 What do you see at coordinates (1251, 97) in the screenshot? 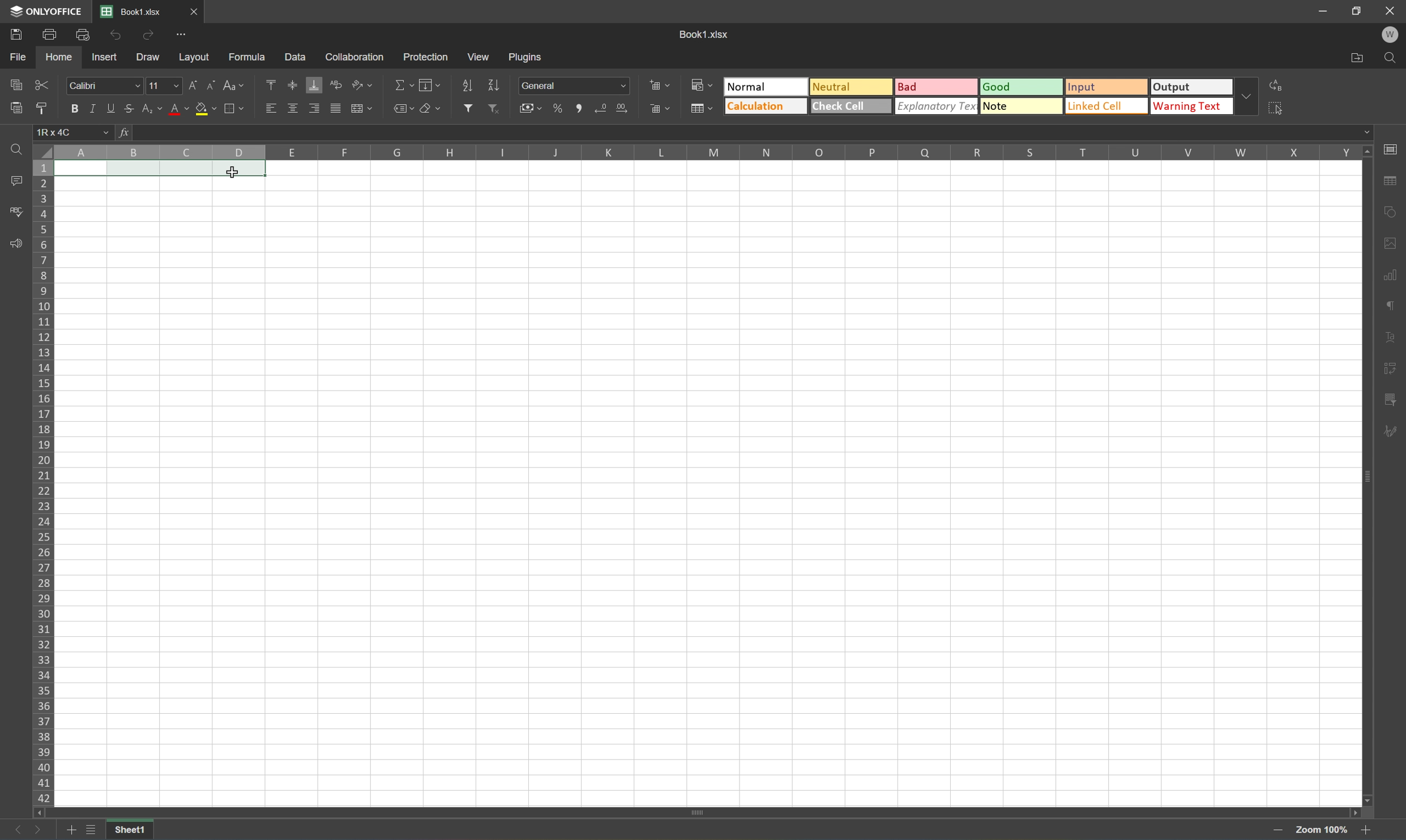
I see `Drop down` at bounding box center [1251, 97].